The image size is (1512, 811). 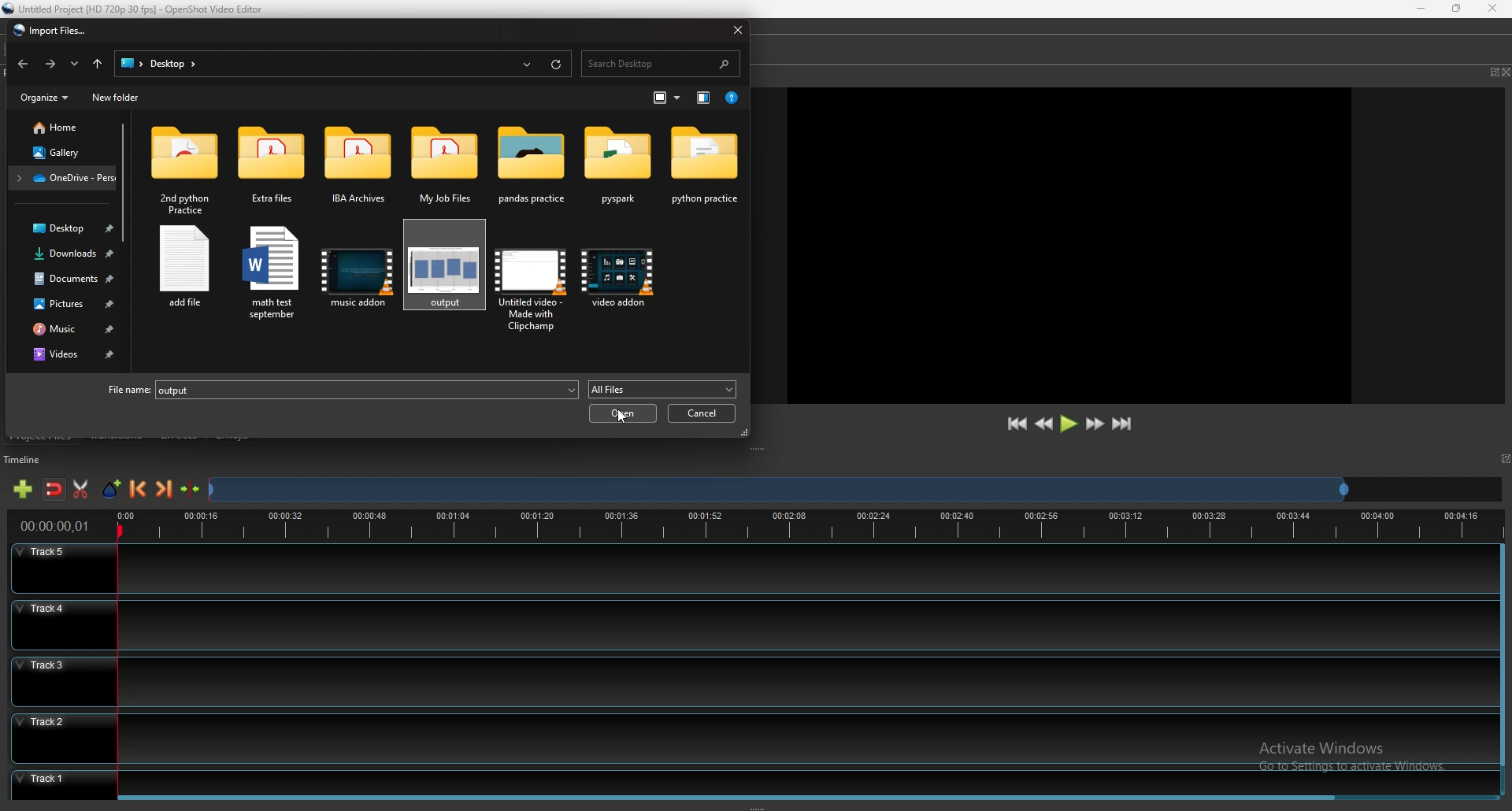 What do you see at coordinates (139, 489) in the screenshot?
I see `previous marker` at bounding box center [139, 489].